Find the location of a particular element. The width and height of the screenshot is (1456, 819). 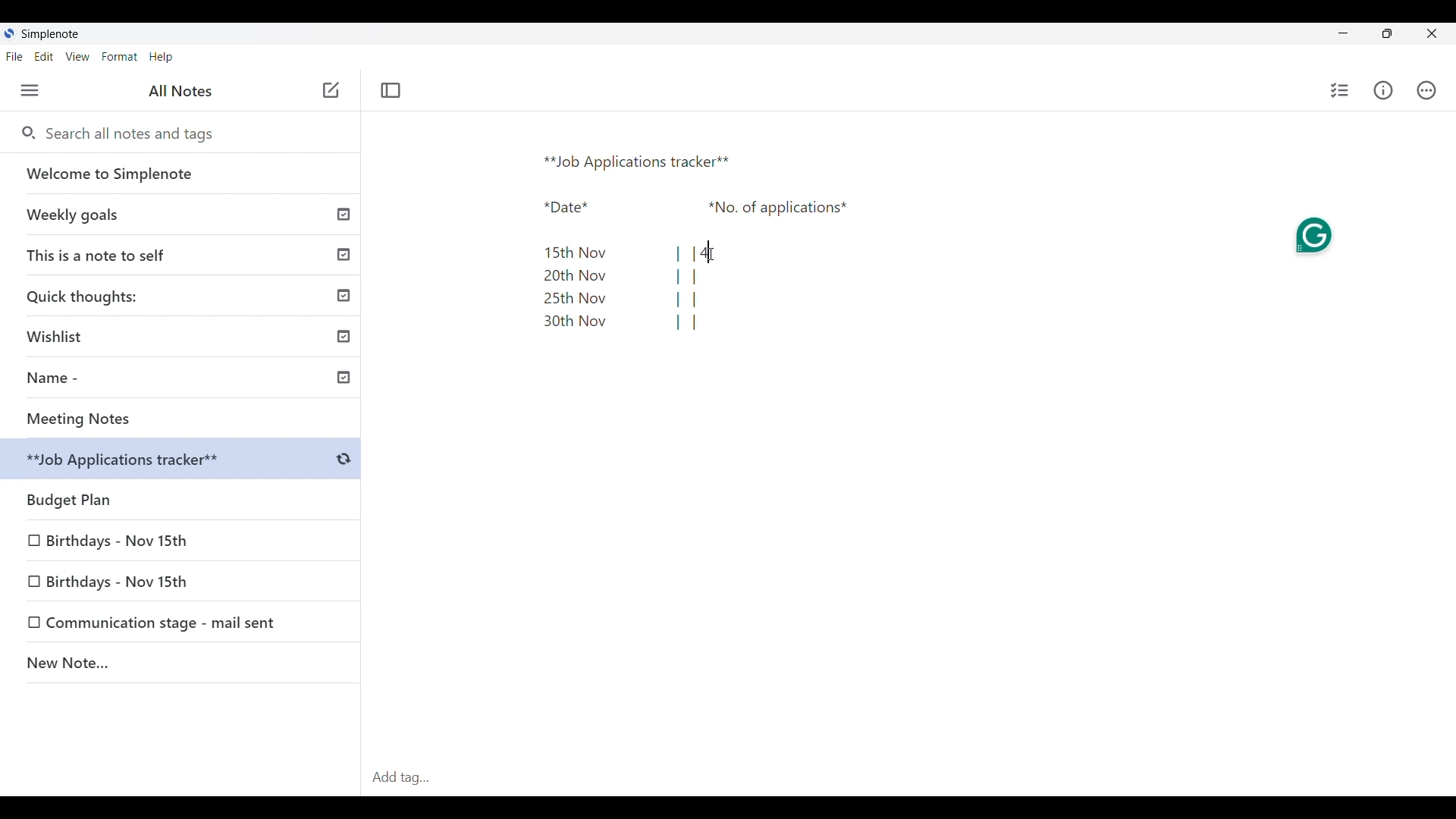

Meeting Notes is located at coordinates (186, 419).